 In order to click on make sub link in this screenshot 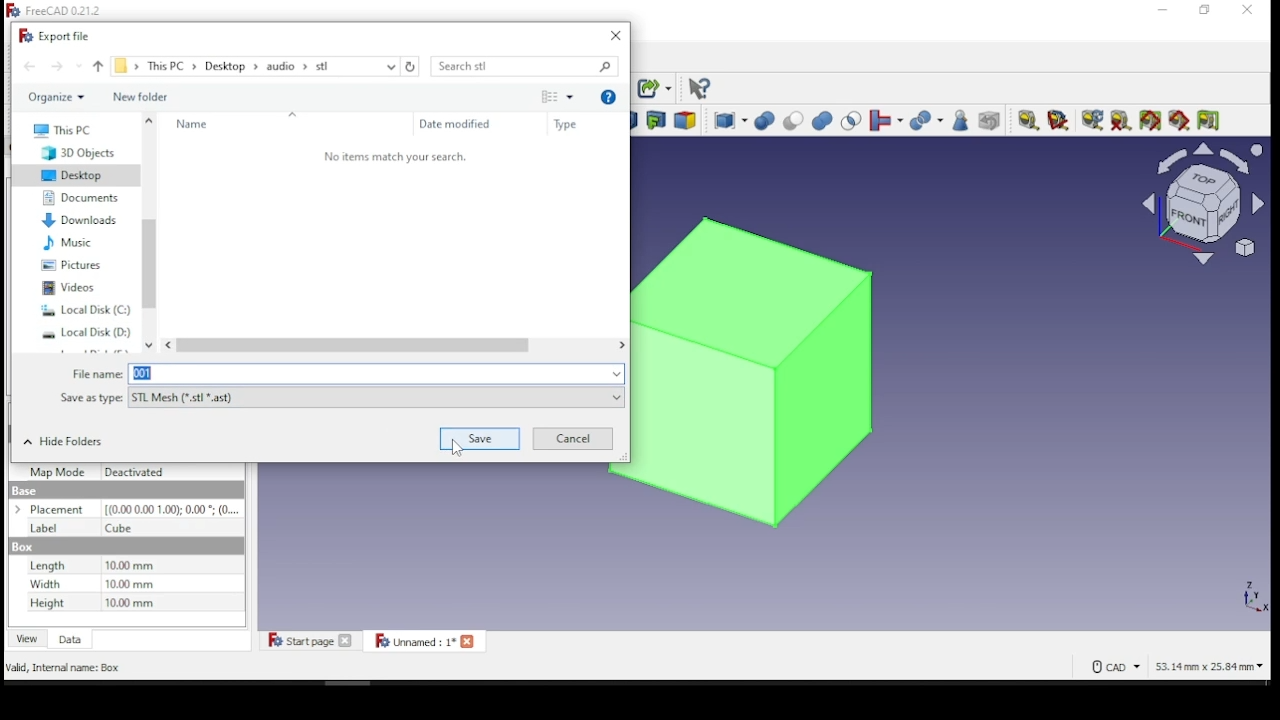, I will do `click(655, 89)`.